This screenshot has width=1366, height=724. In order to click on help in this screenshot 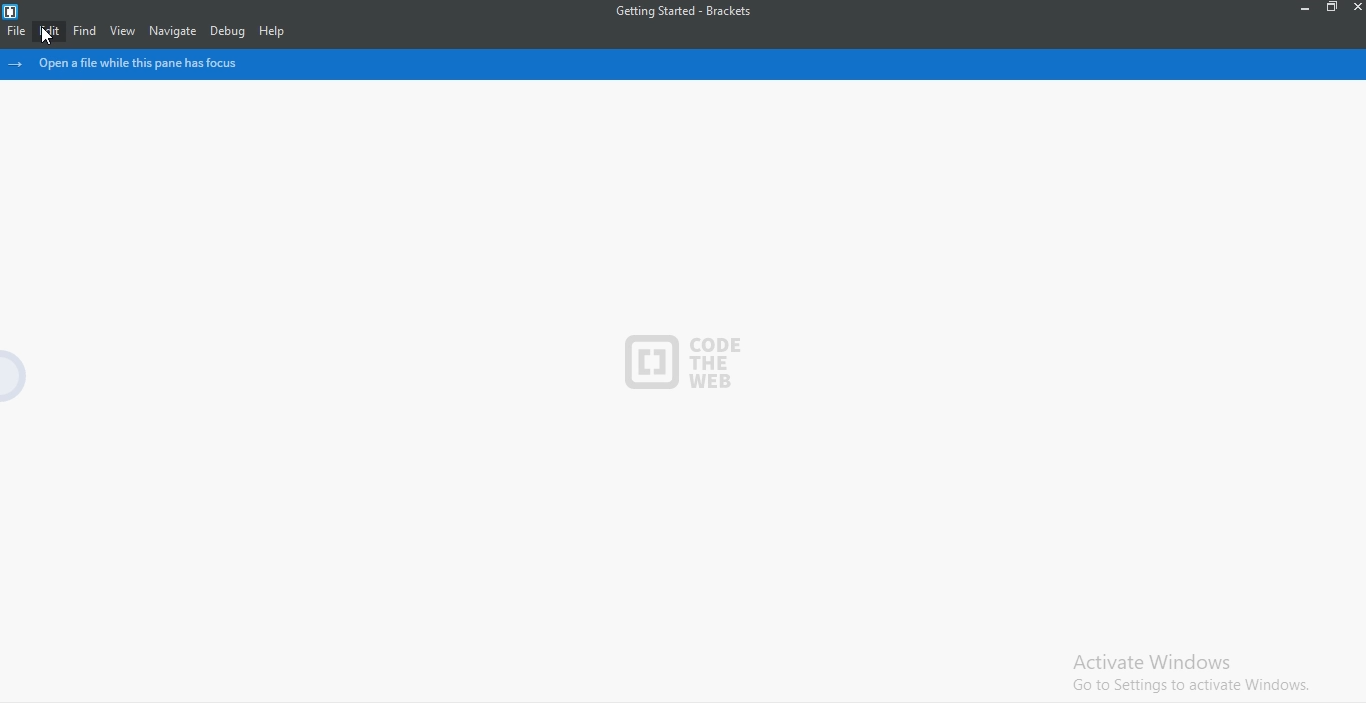, I will do `click(273, 29)`.